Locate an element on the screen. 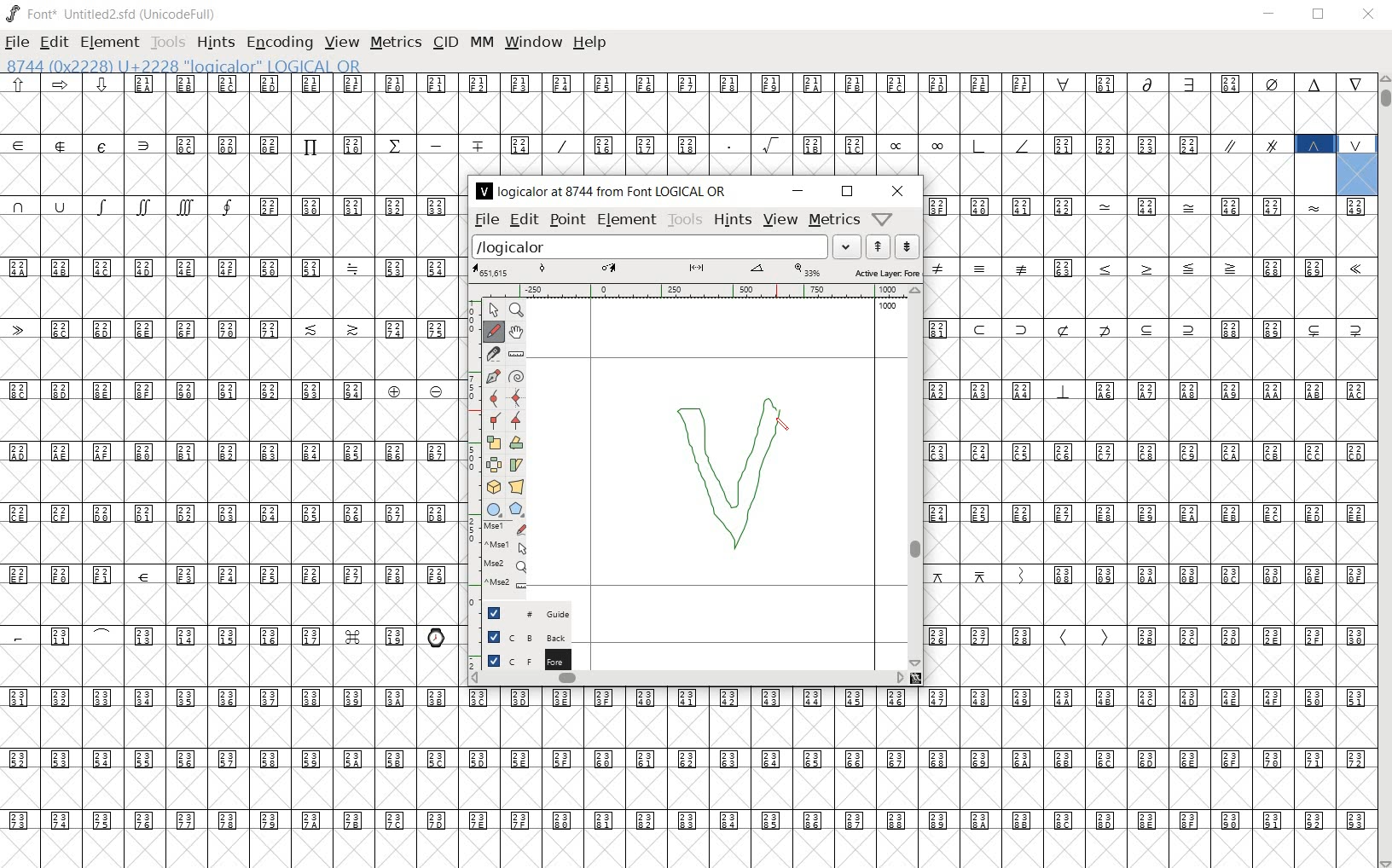  tools is located at coordinates (684, 222).